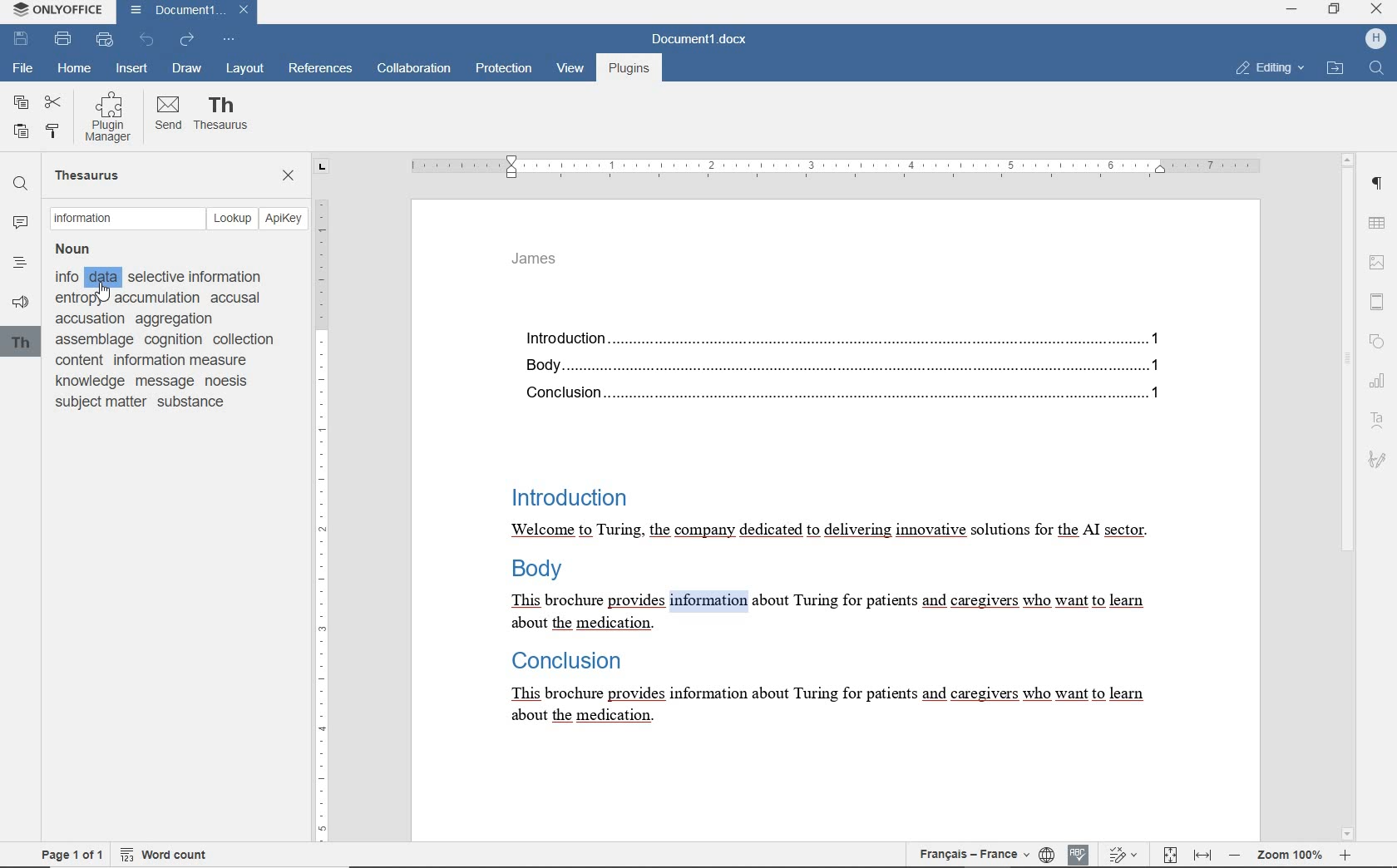  Describe the element at coordinates (72, 855) in the screenshot. I see `PAGE 1 OF 1` at that location.